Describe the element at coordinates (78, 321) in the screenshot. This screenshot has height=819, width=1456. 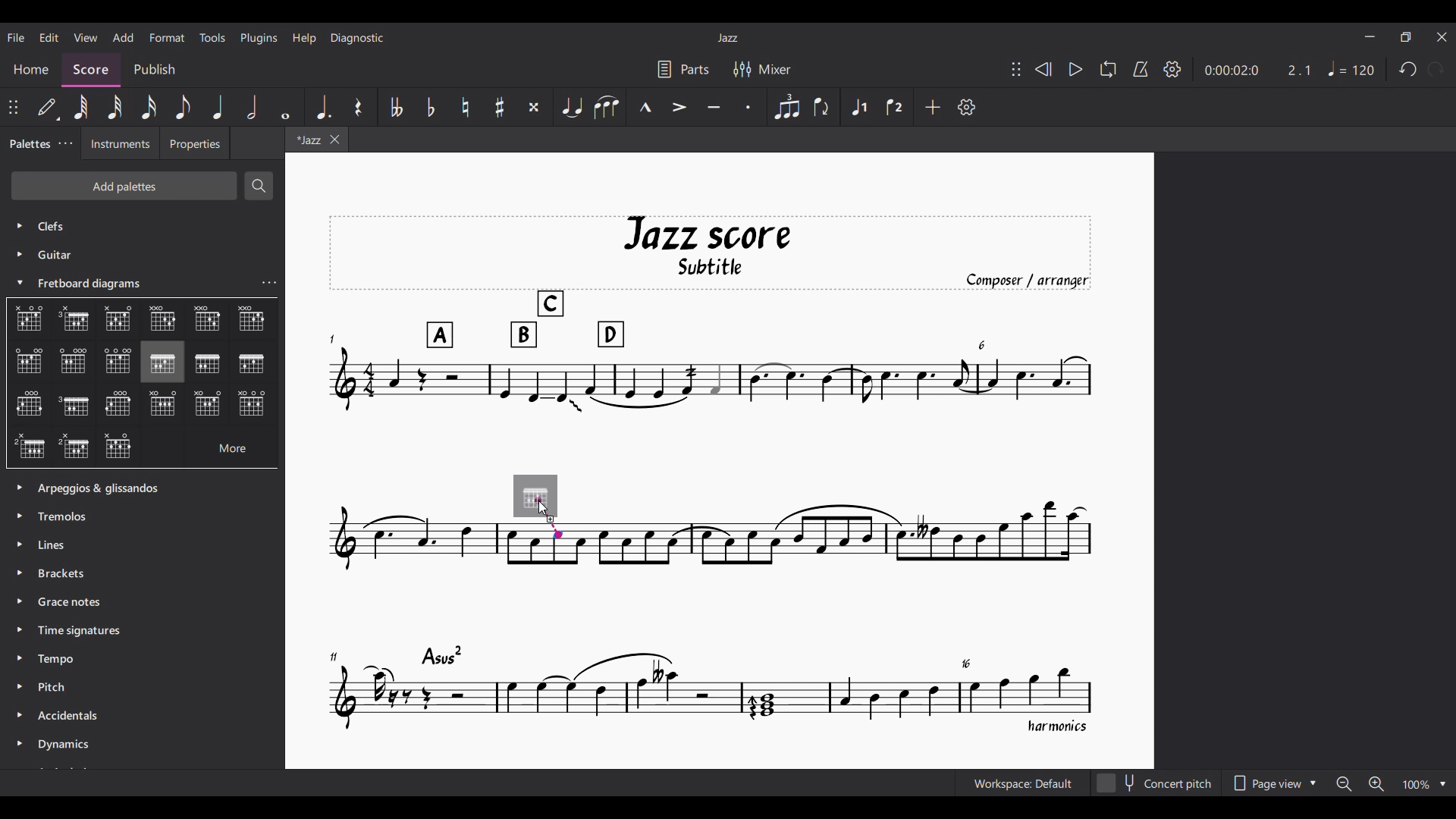
I see `Chart 2` at that location.